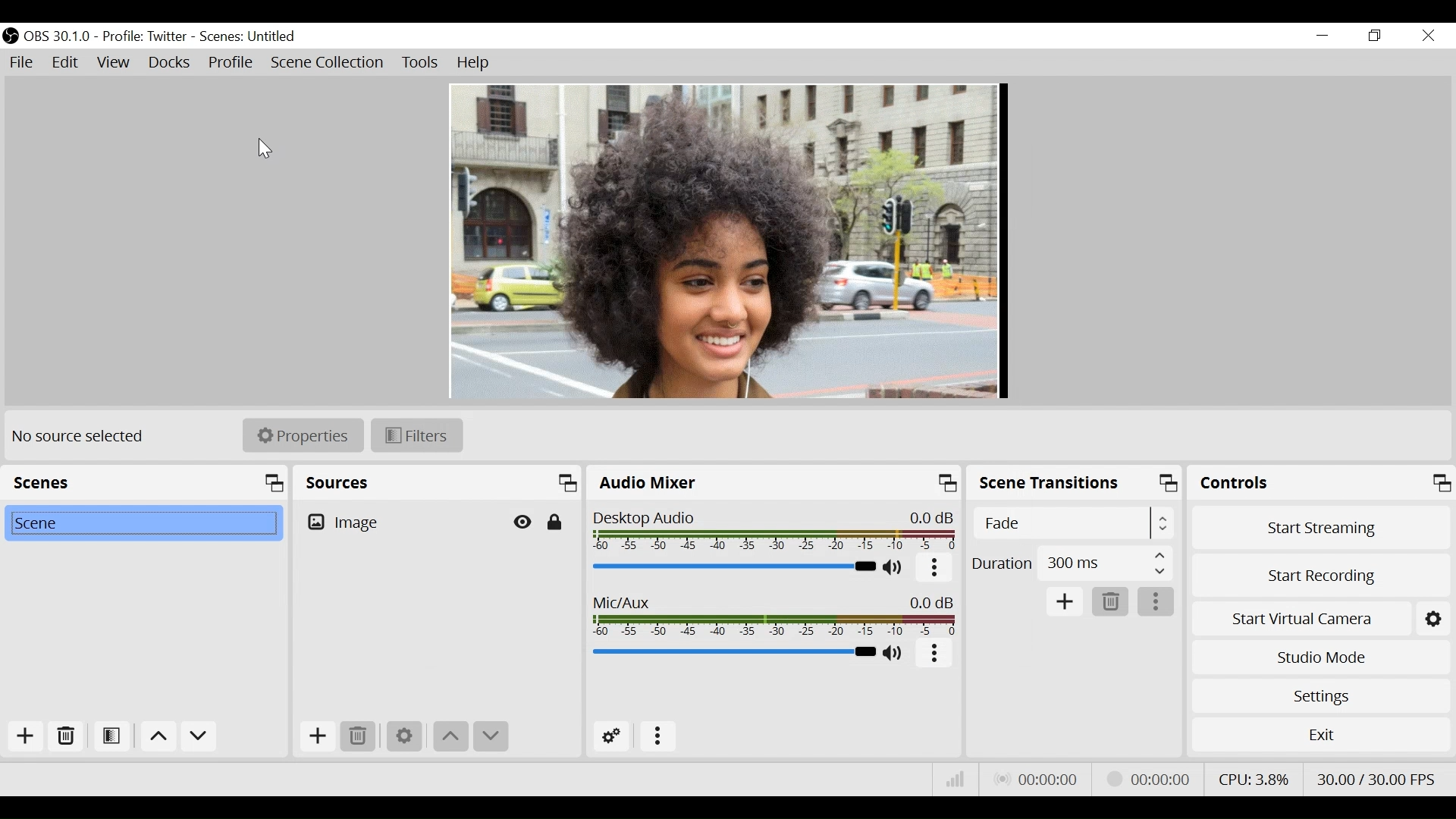  Describe the element at coordinates (21, 738) in the screenshot. I see `Add` at that location.